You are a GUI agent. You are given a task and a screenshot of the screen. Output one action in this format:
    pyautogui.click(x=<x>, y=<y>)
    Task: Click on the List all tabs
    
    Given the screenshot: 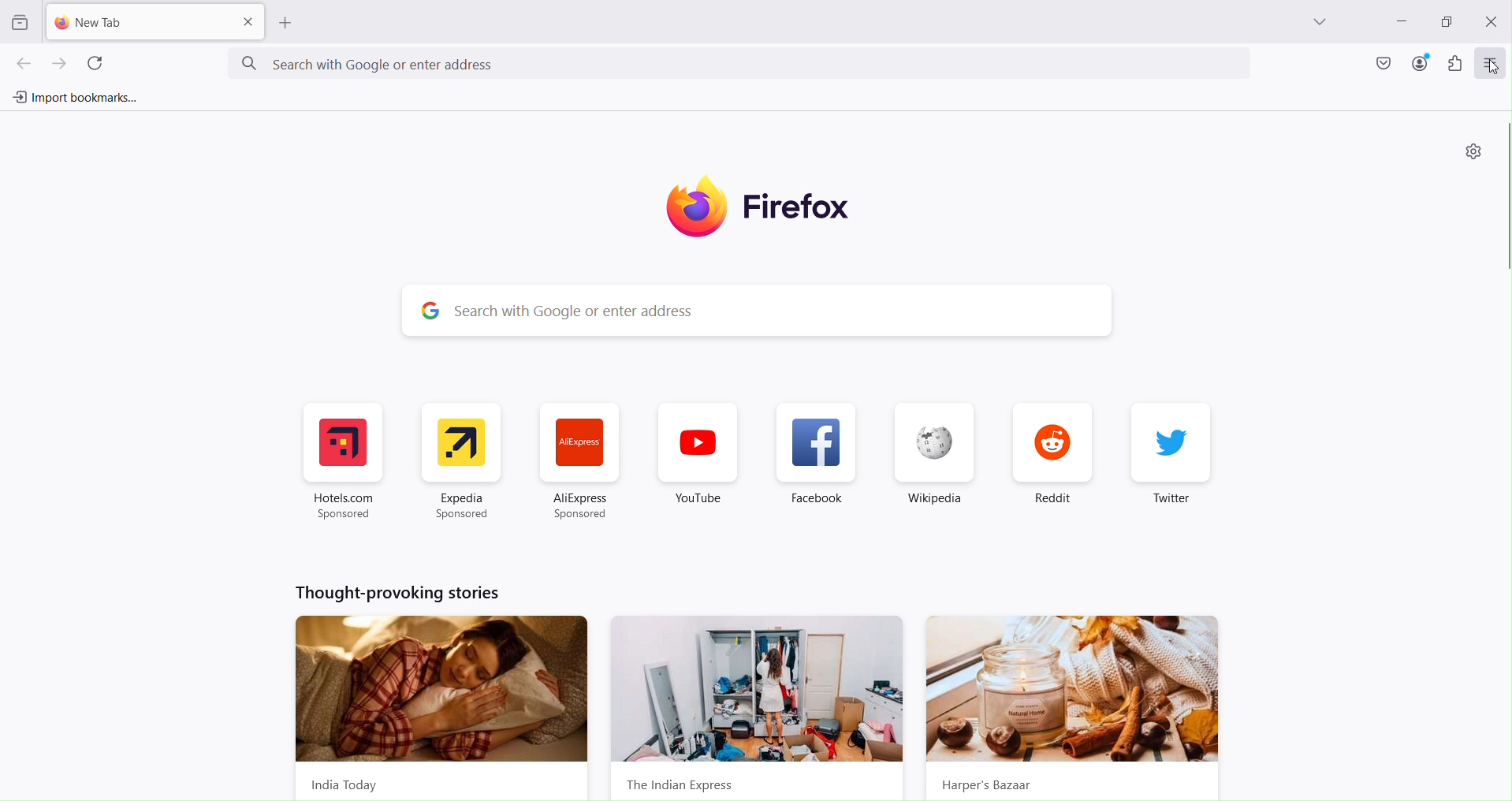 What is the action you would take?
    pyautogui.click(x=1322, y=22)
    